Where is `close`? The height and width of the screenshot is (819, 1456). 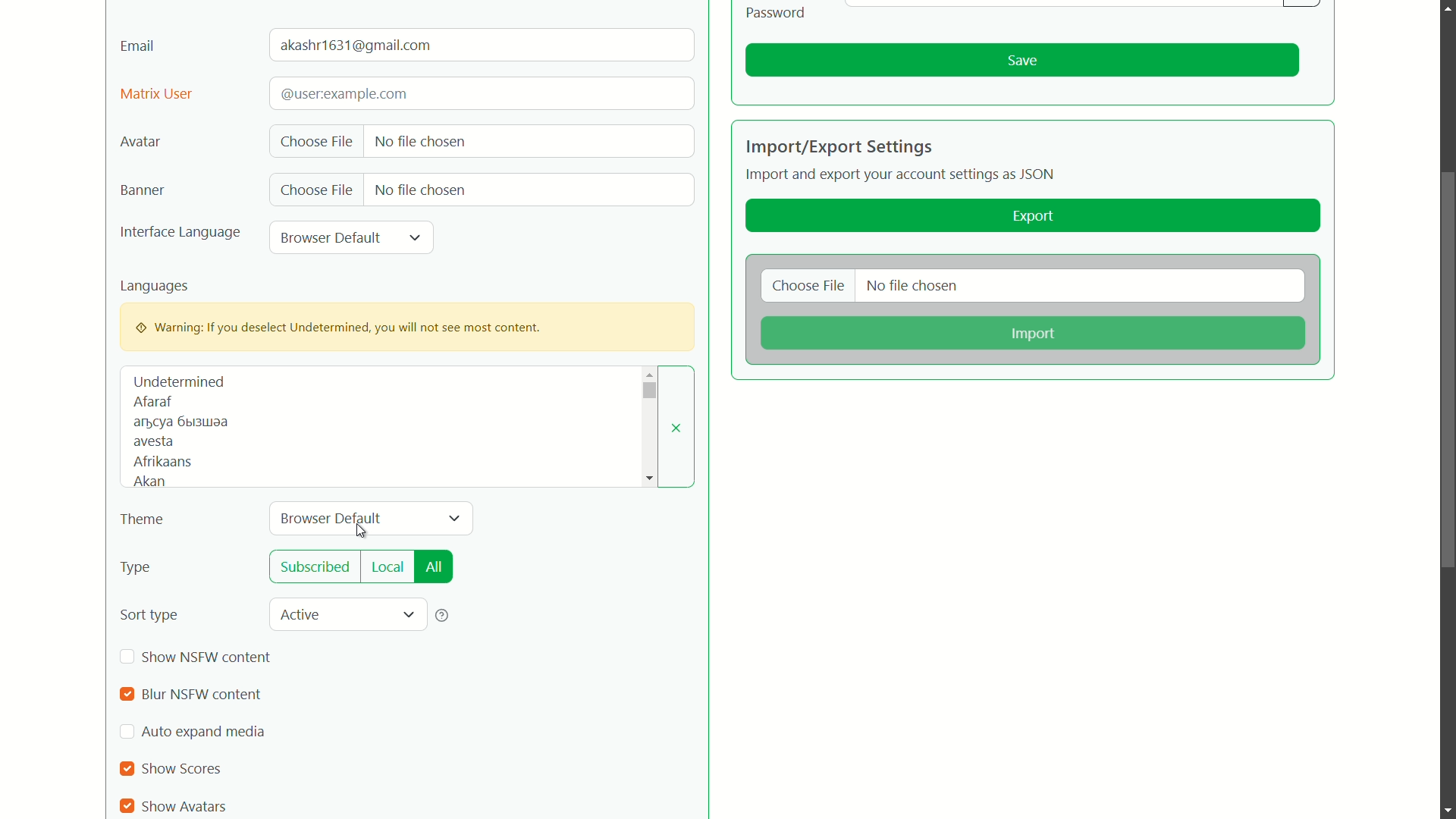
close is located at coordinates (677, 428).